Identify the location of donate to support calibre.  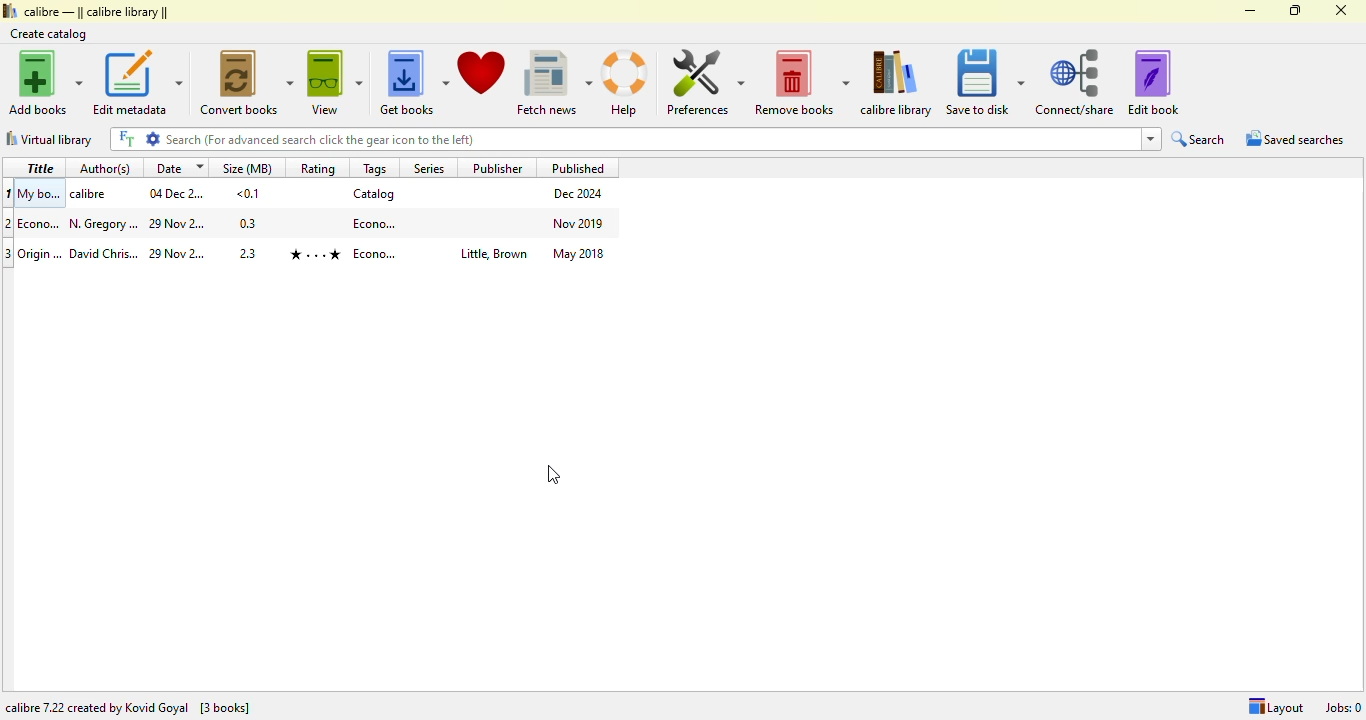
(481, 81).